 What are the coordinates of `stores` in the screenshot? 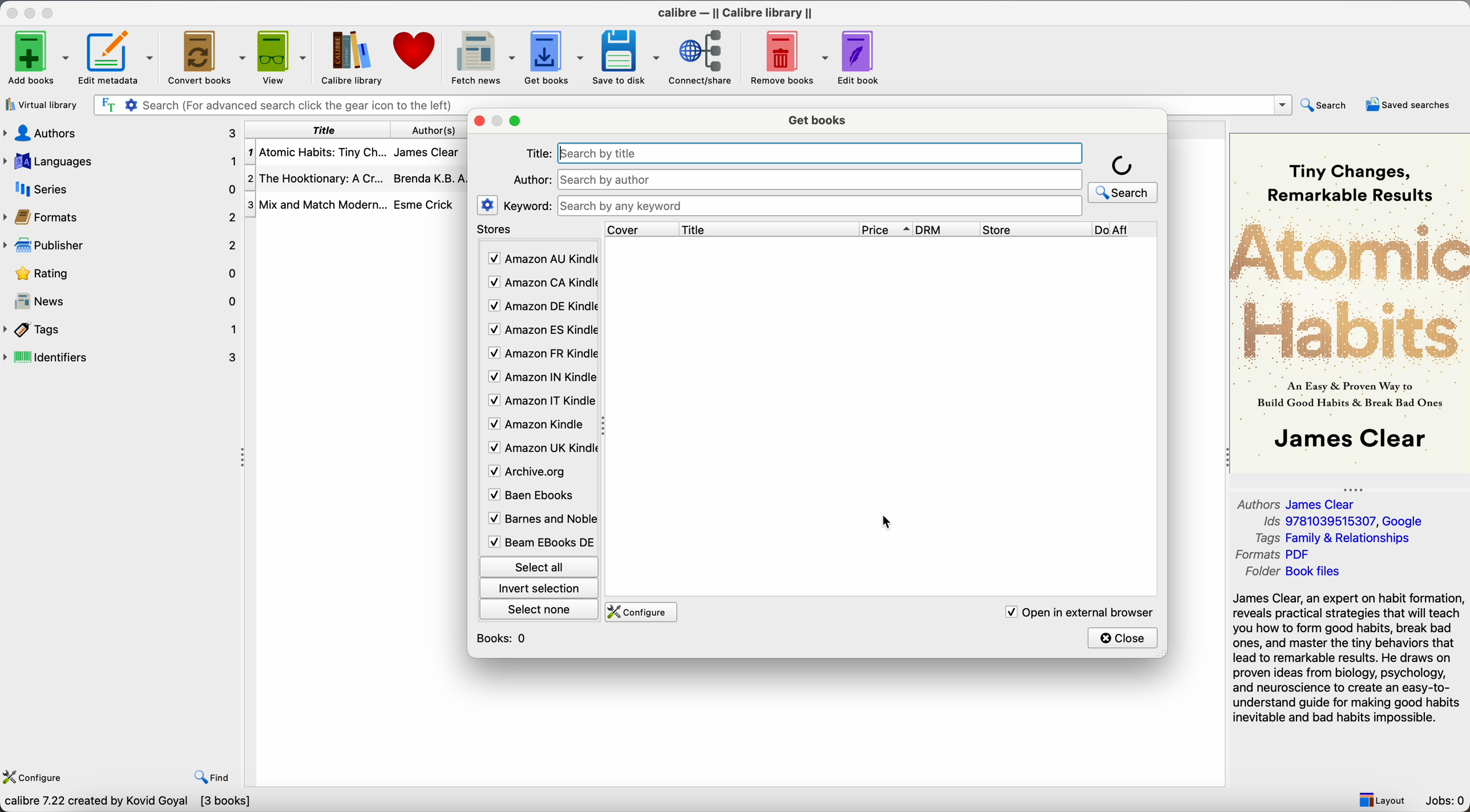 It's located at (497, 231).